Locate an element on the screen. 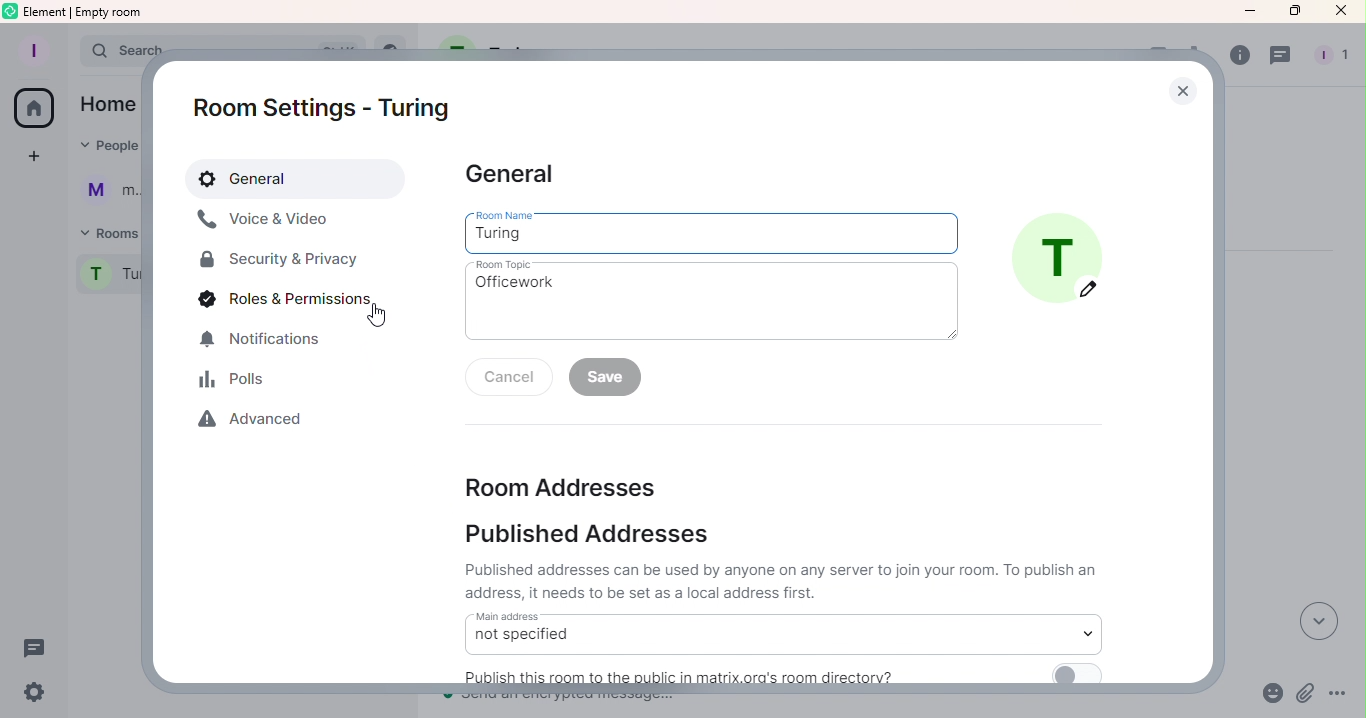  General is located at coordinates (514, 171).